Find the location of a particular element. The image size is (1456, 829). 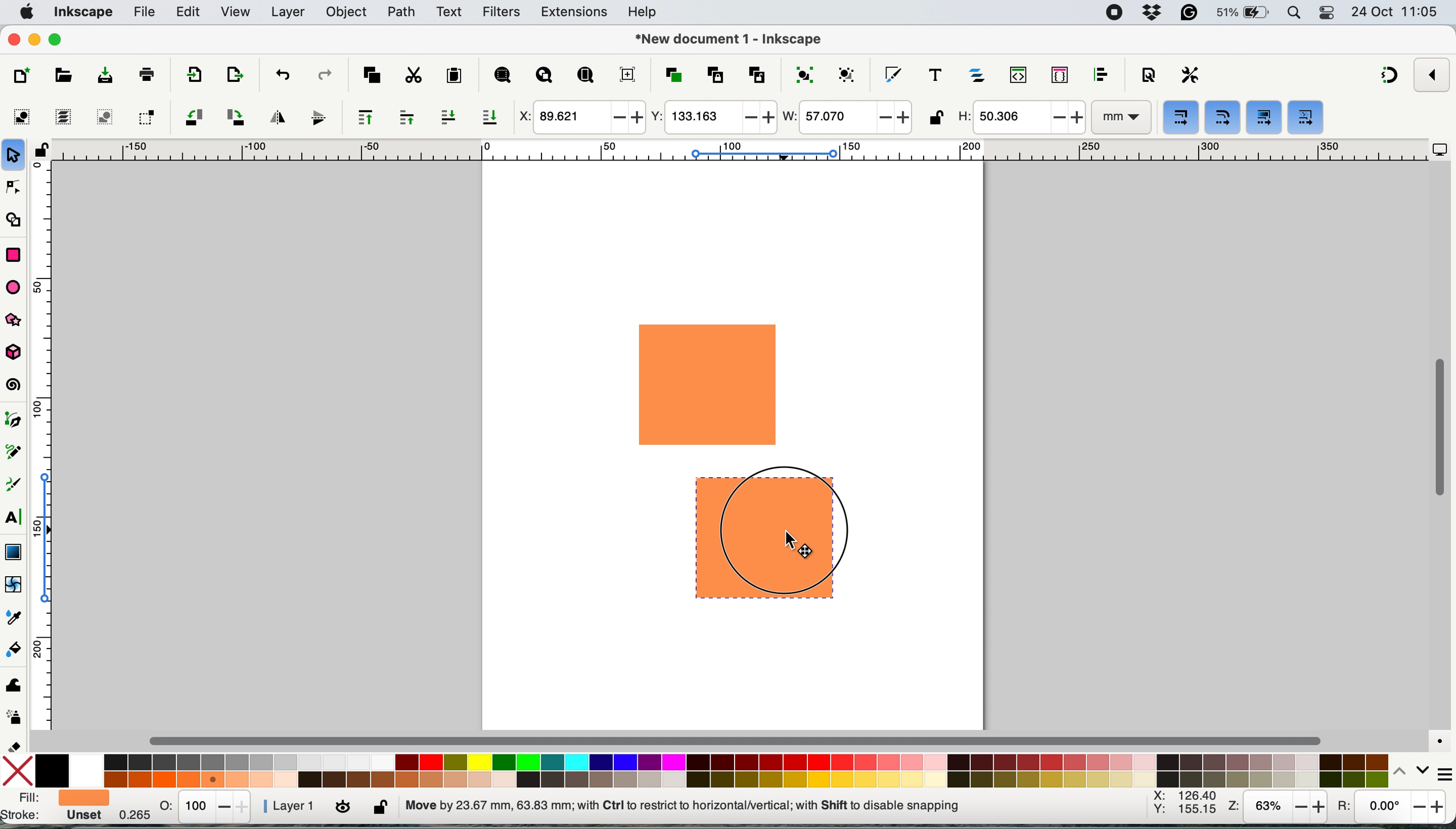

height is located at coordinates (1019, 117).